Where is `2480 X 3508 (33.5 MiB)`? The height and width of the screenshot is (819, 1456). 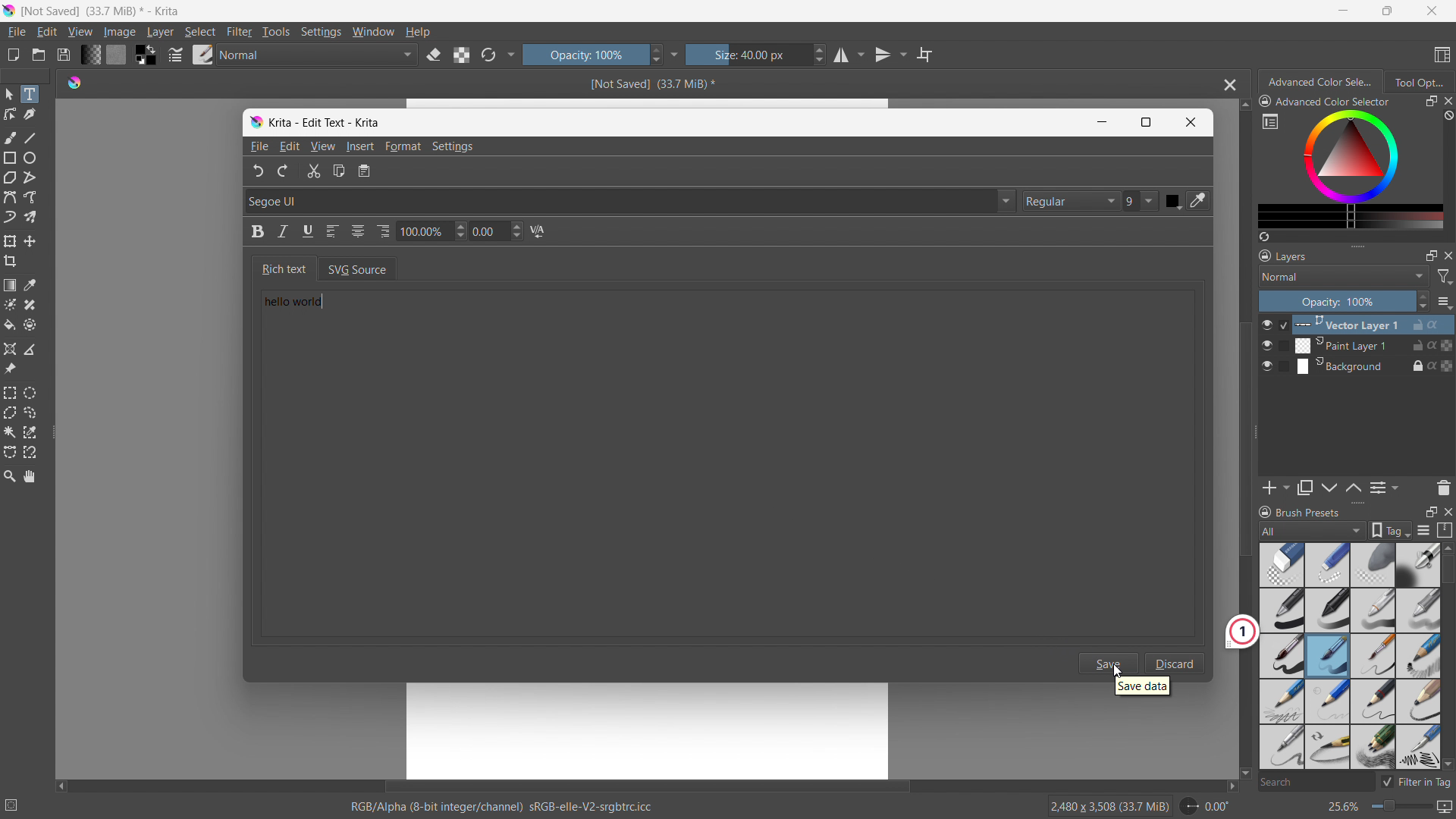
2480 X 3508 (33.5 MiB) is located at coordinates (1109, 805).